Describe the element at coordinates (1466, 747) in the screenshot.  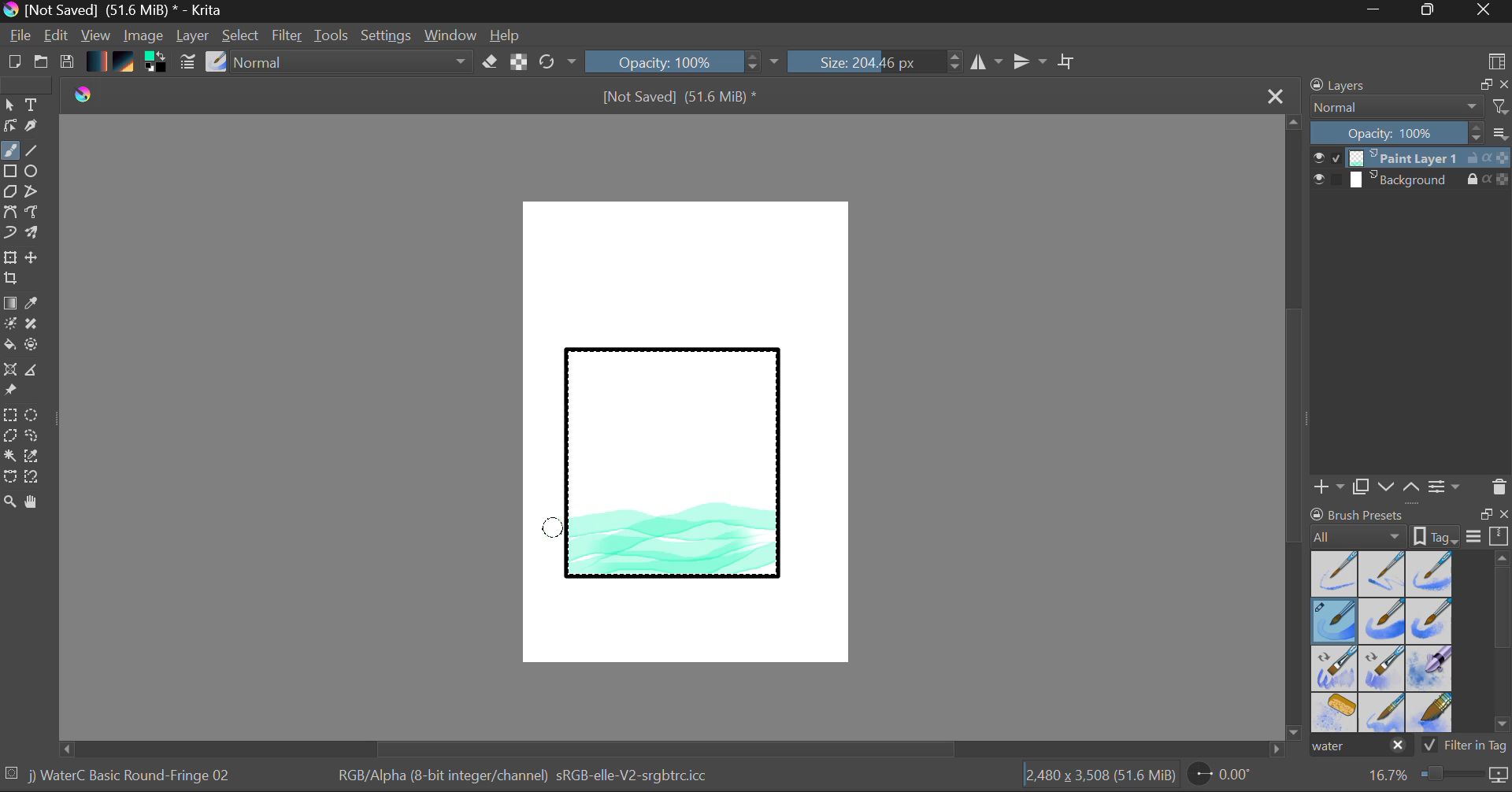
I see `Filter in Tag Option` at that location.